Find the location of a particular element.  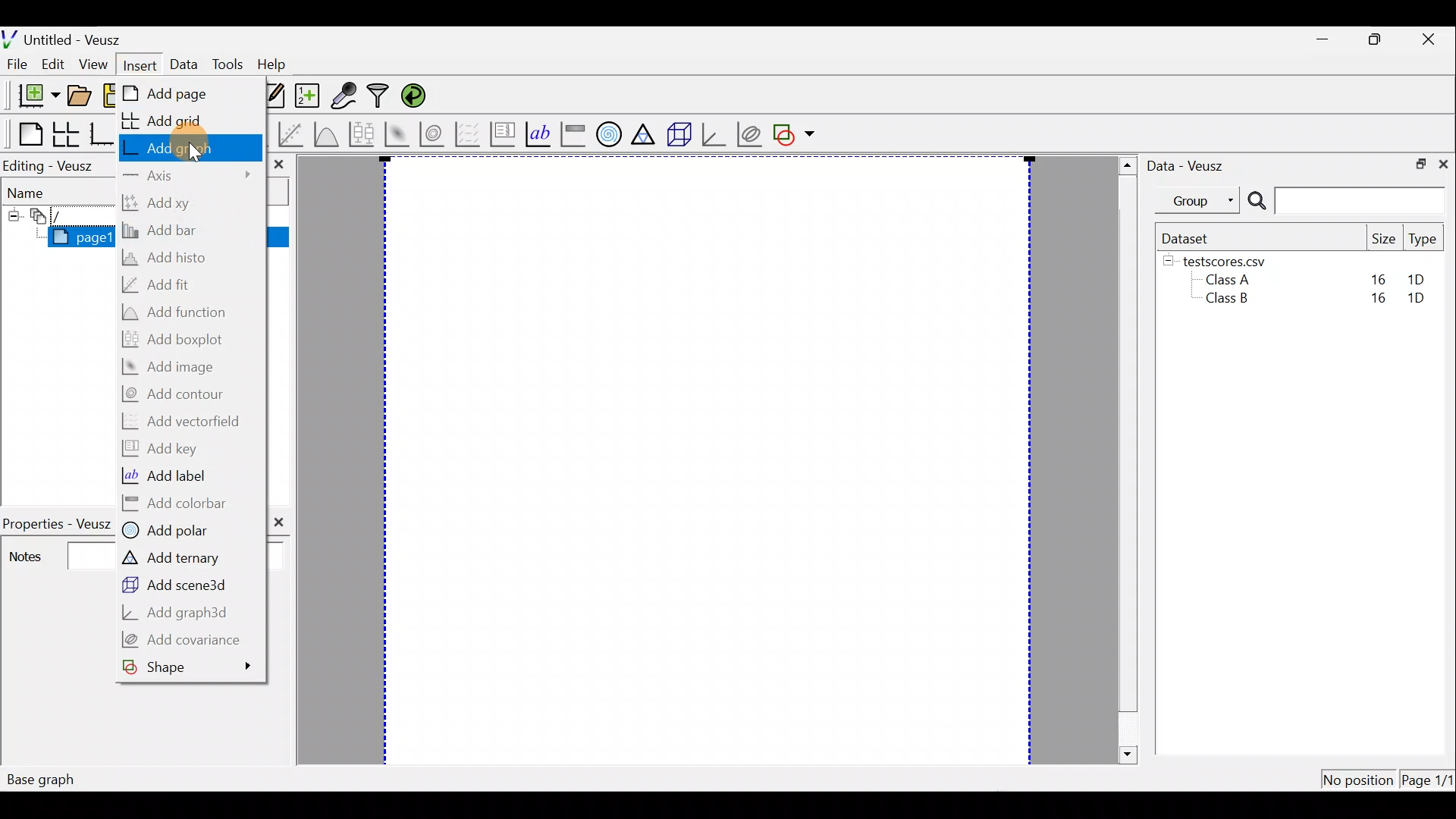

Add bar is located at coordinates (165, 232).